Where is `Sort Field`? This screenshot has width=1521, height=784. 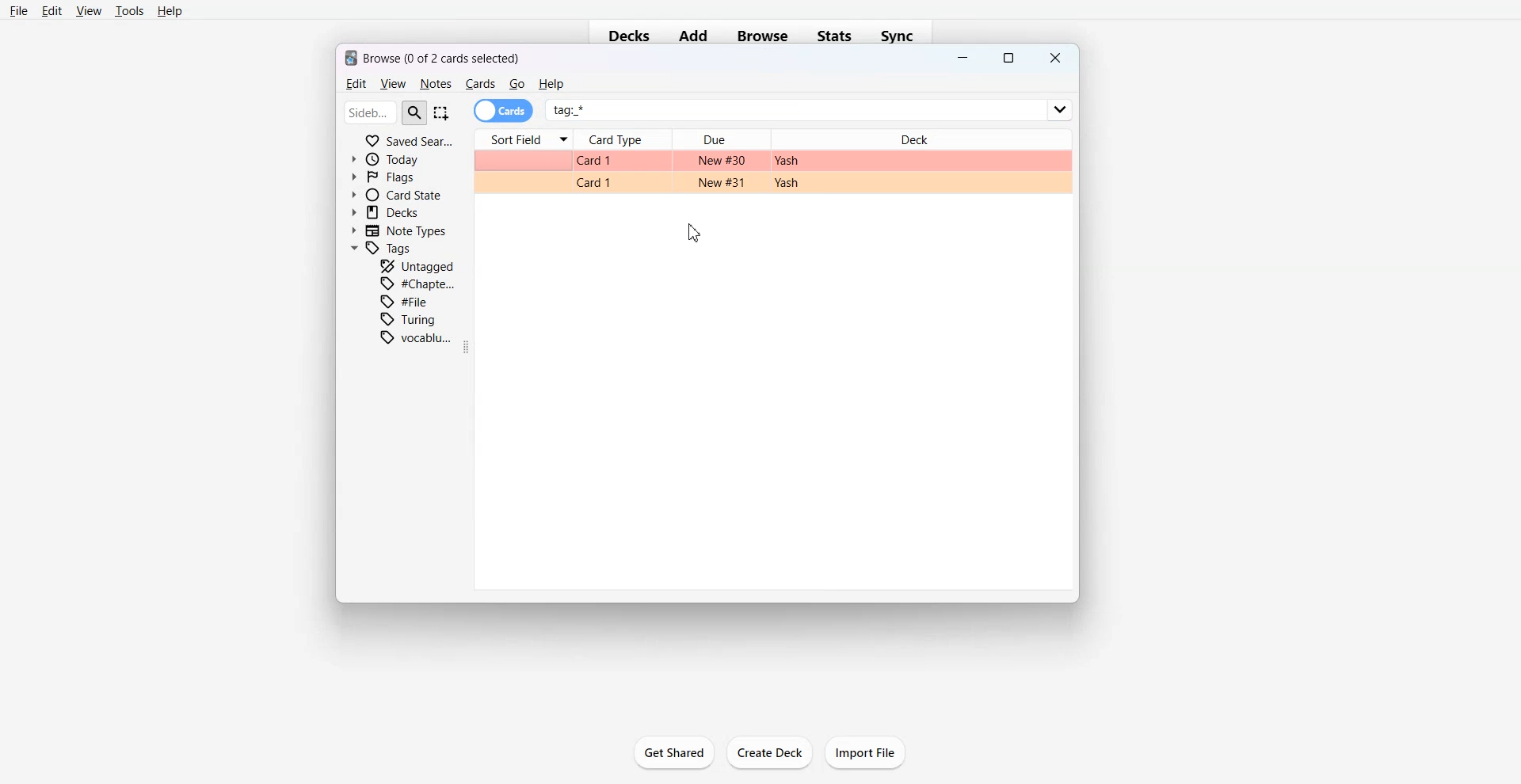
Sort Field is located at coordinates (523, 139).